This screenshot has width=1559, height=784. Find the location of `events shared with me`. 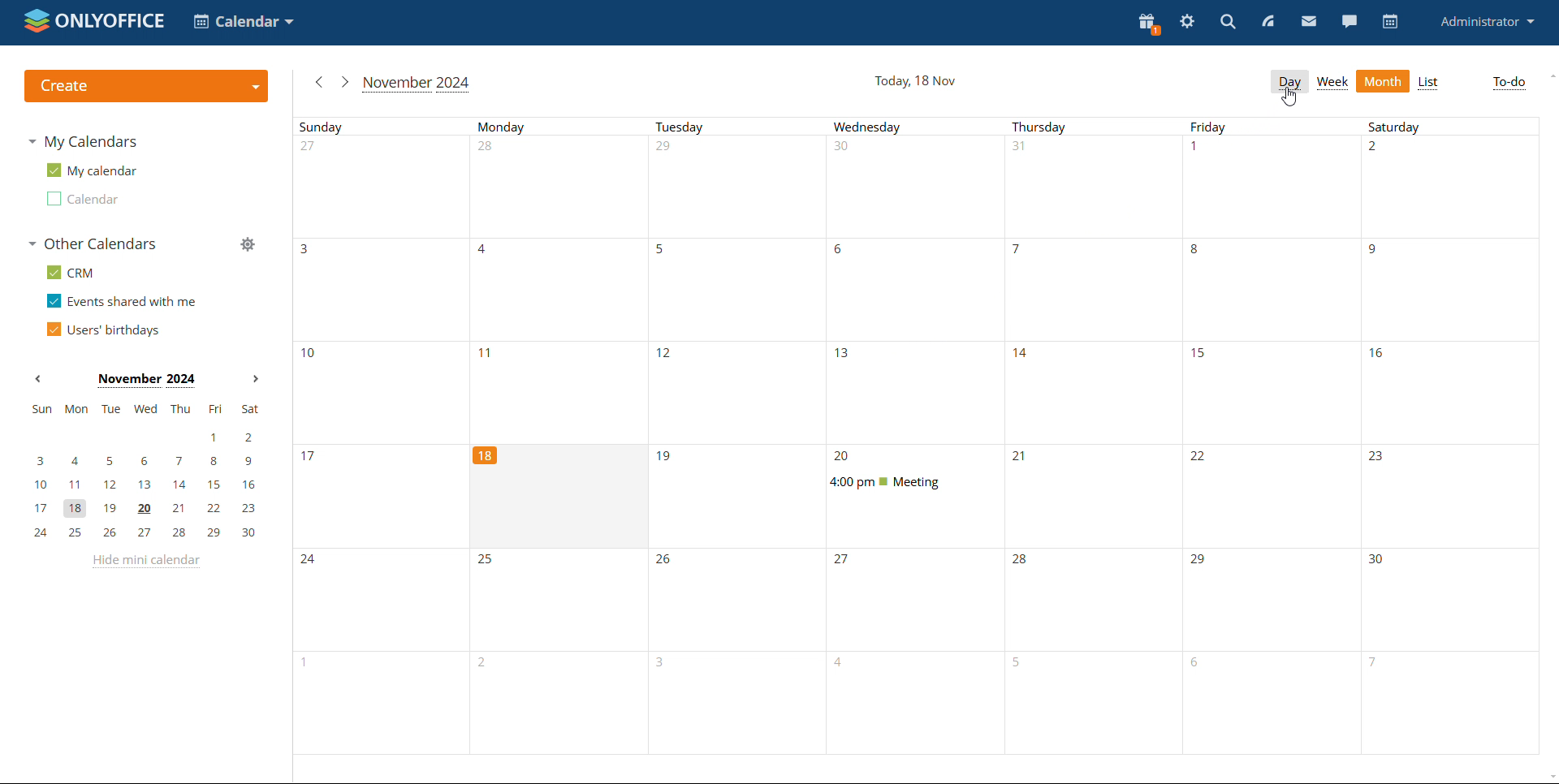

events shared with me is located at coordinates (122, 301).